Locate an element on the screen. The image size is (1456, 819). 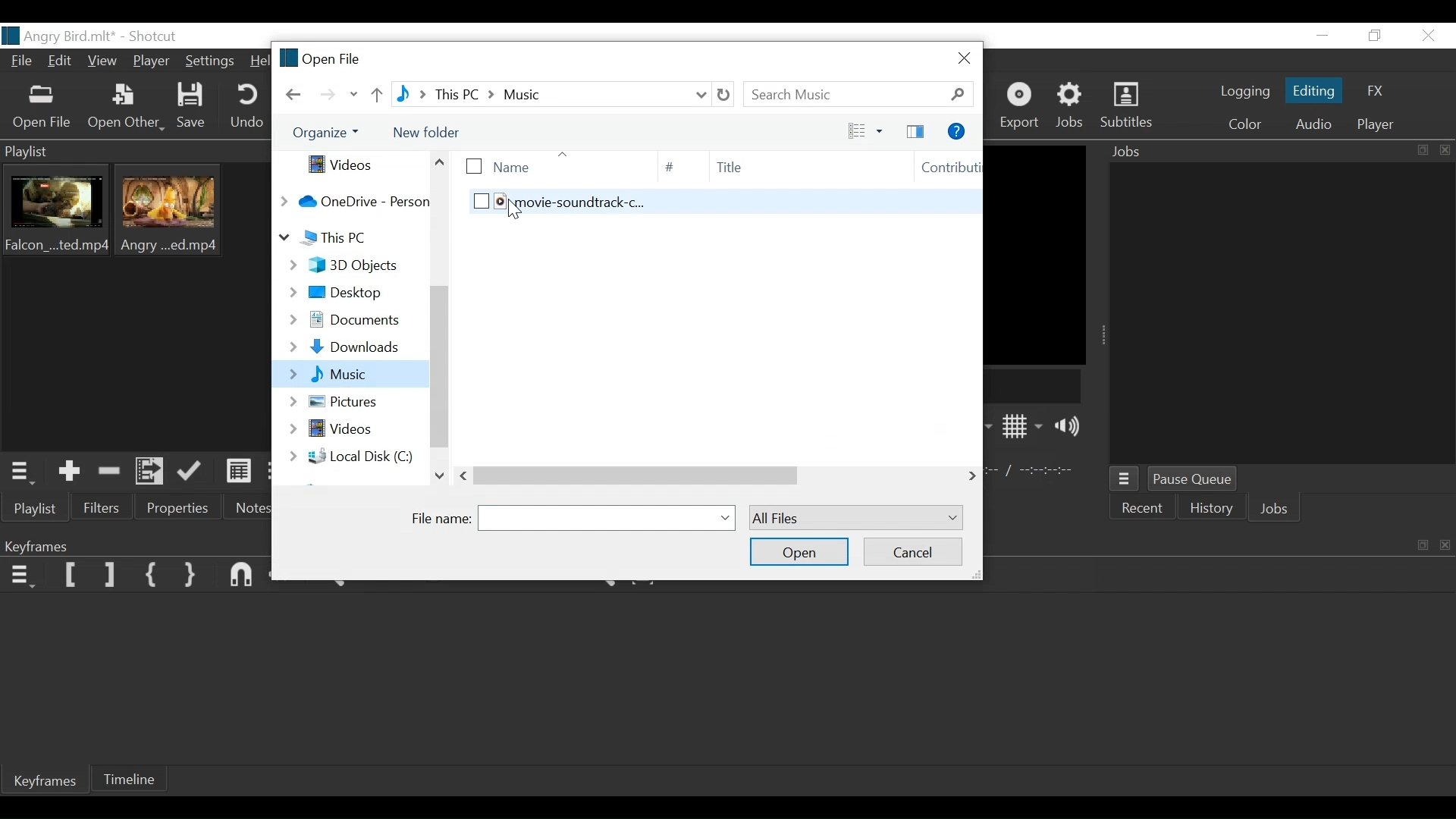
Go Back is located at coordinates (294, 95).